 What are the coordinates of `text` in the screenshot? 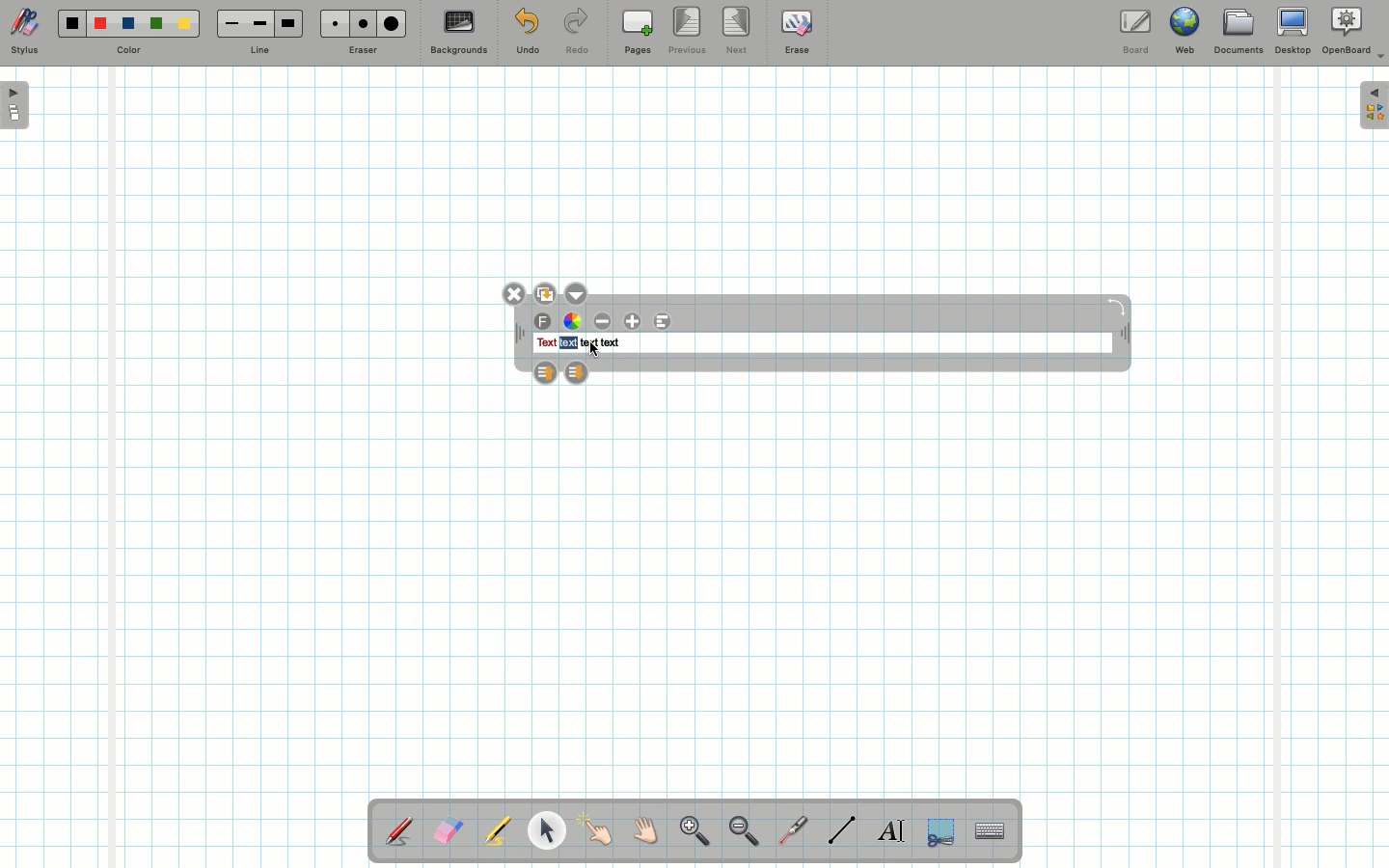 It's located at (567, 343).